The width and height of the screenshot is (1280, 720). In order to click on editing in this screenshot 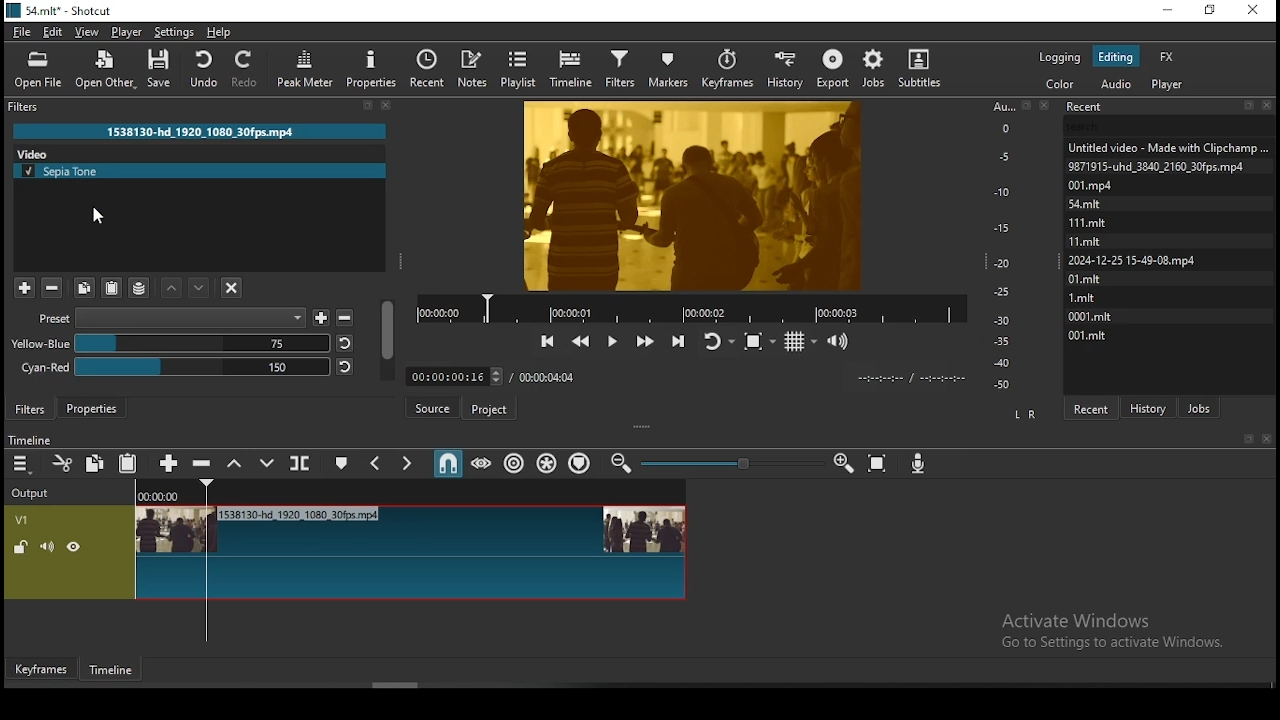, I will do `click(1115, 56)`.